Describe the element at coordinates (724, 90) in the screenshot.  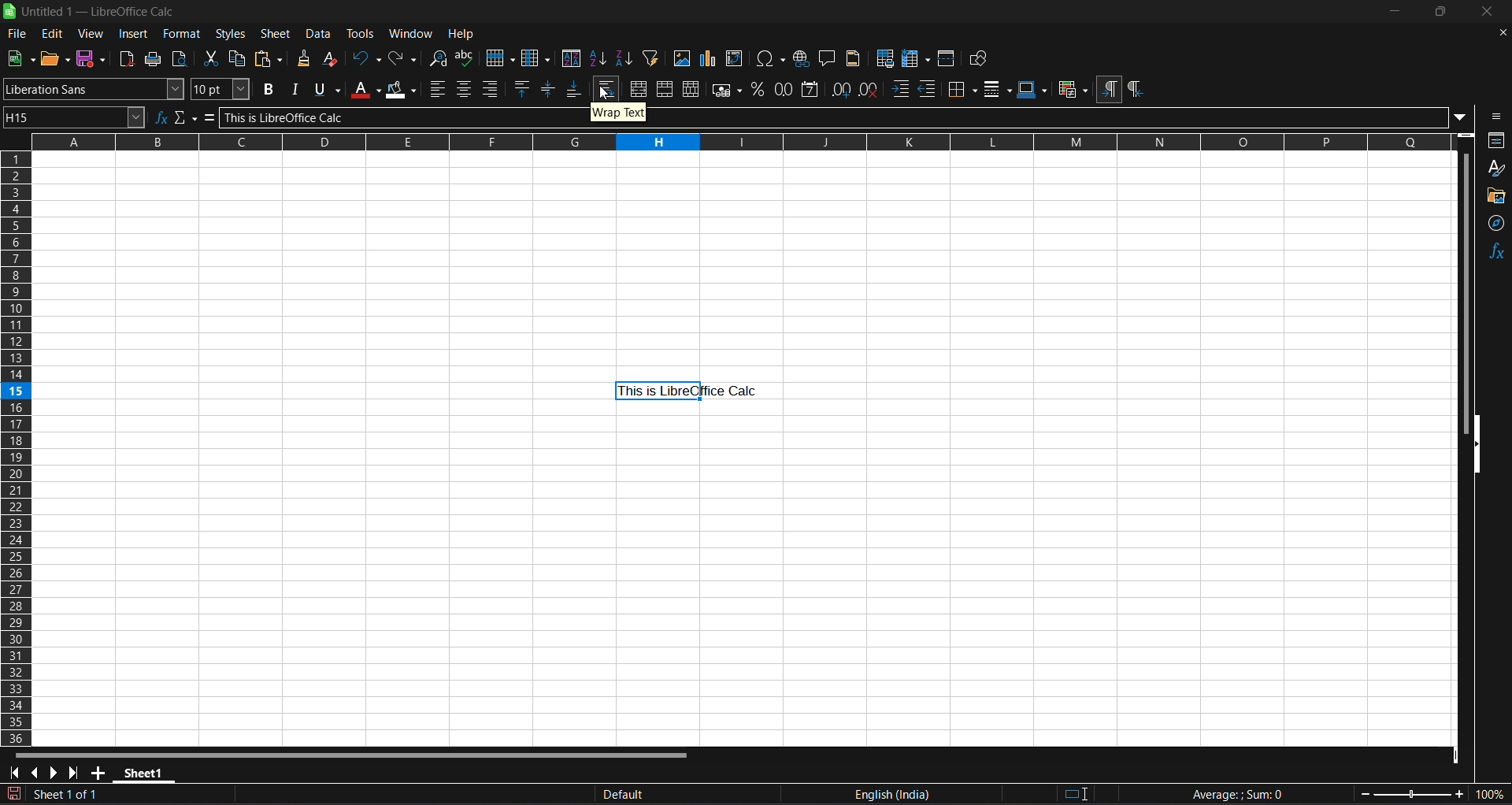
I see `format as currency` at that location.